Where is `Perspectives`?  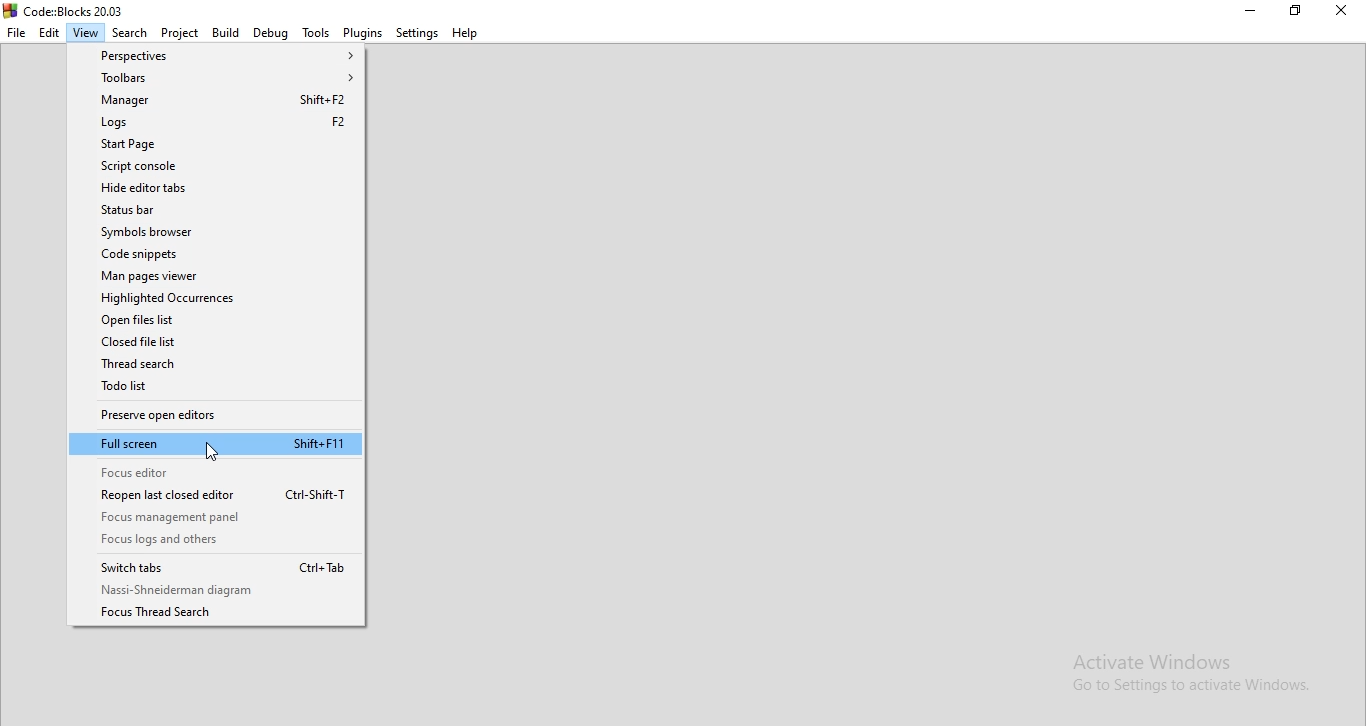 Perspectives is located at coordinates (212, 55).